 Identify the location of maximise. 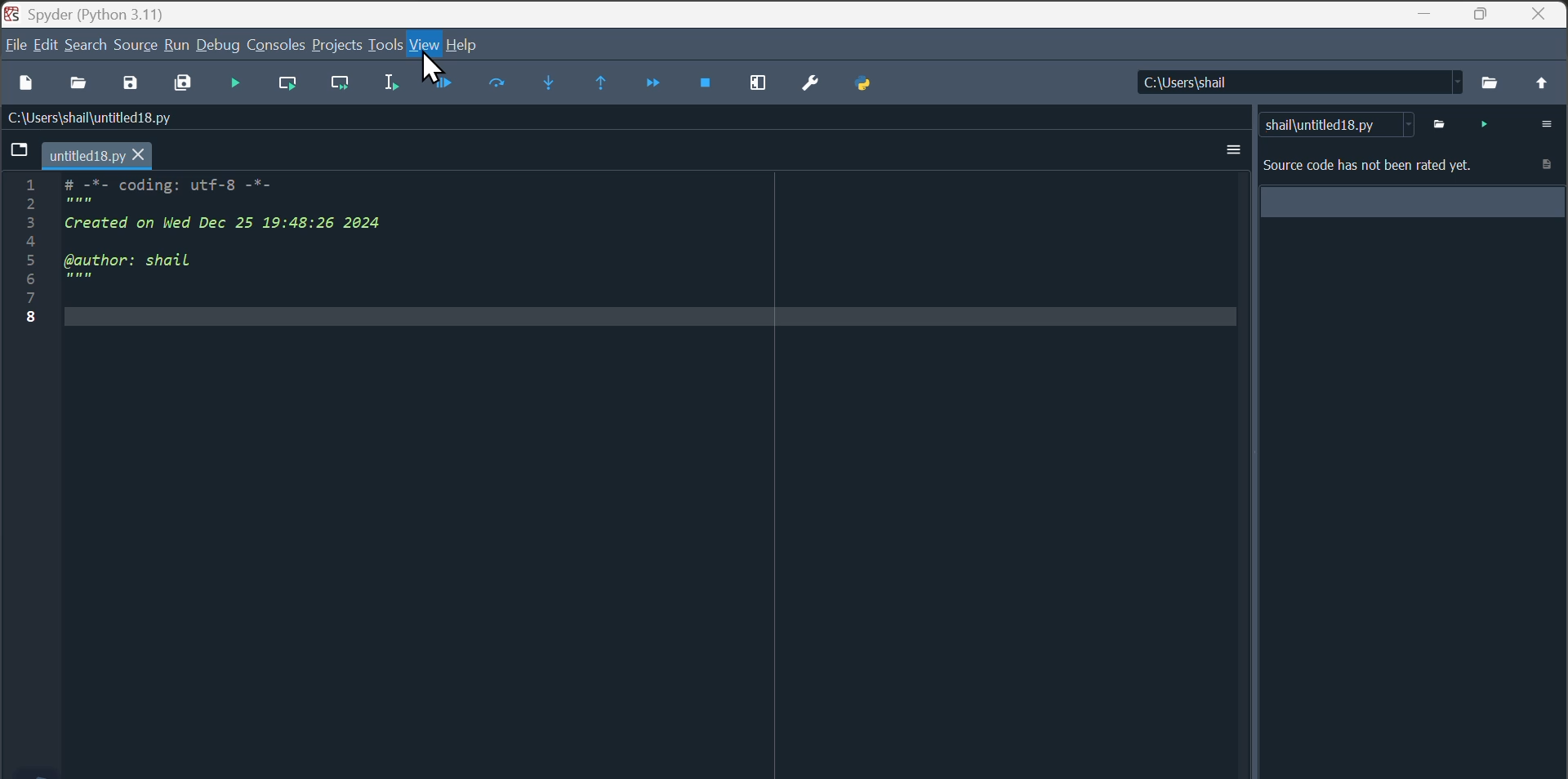
(1483, 14).